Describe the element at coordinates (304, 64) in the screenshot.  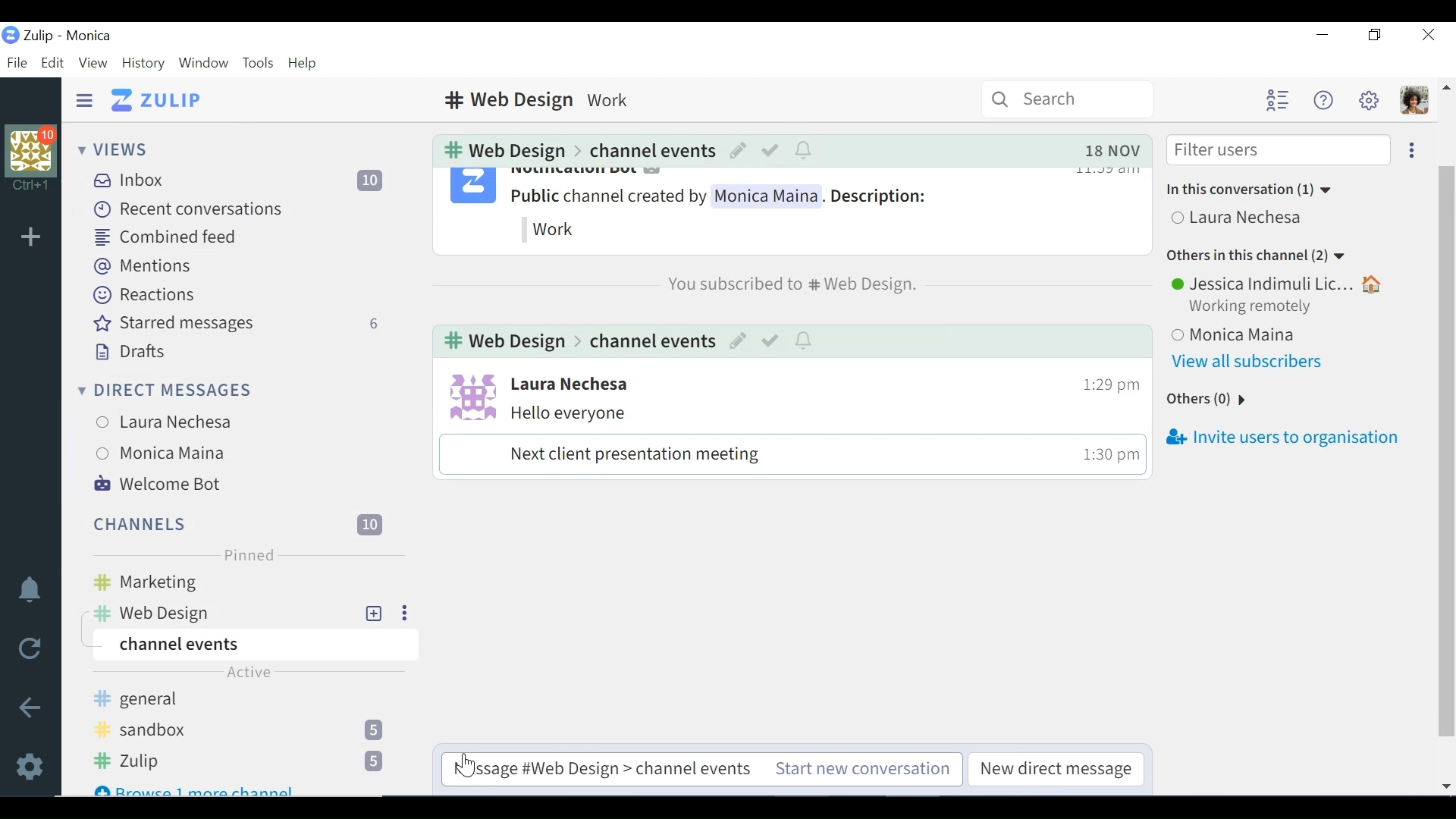
I see `Help` at that location.